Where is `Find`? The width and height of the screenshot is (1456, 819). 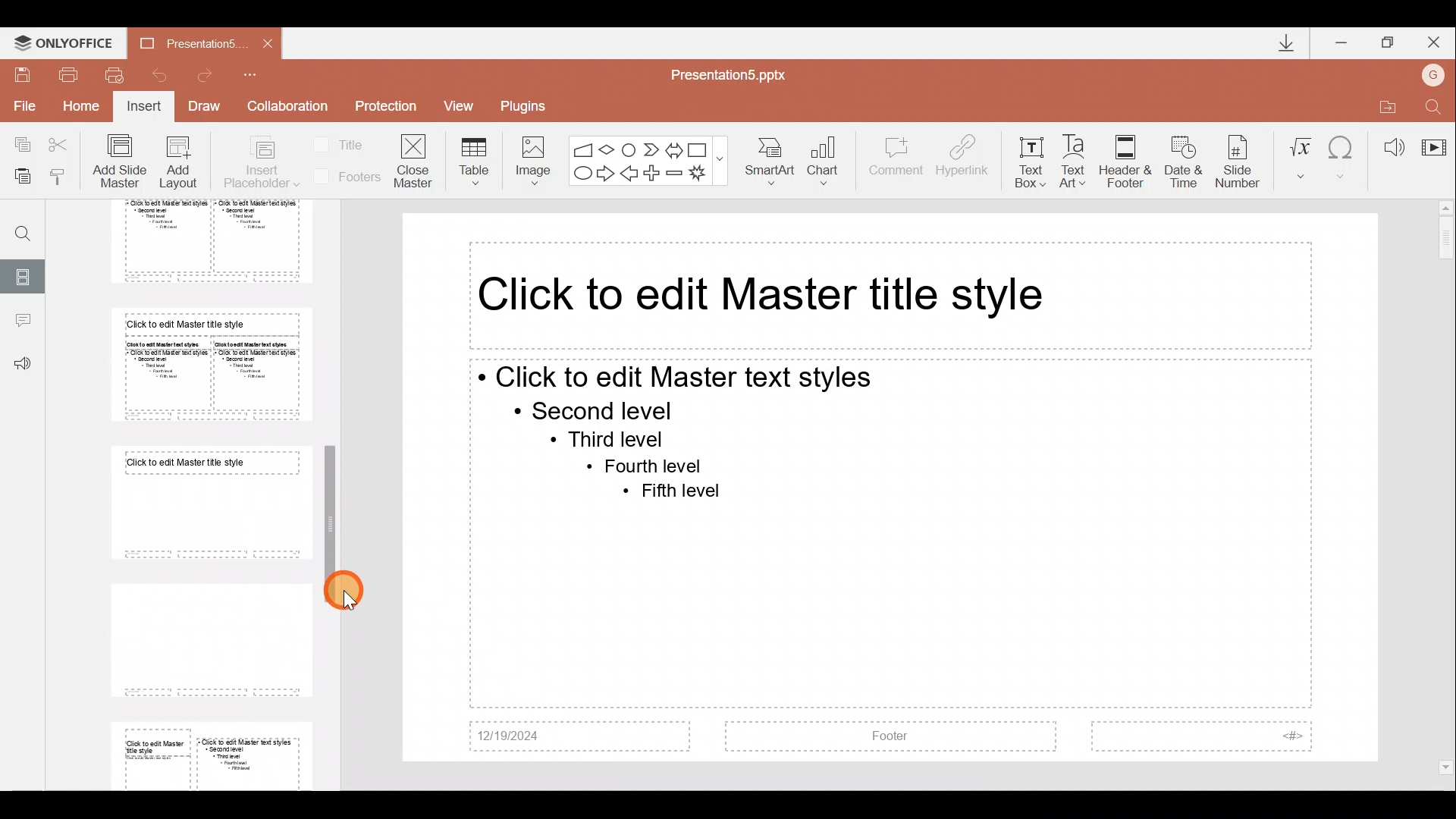 Find is located at coordinates (1435, 104).